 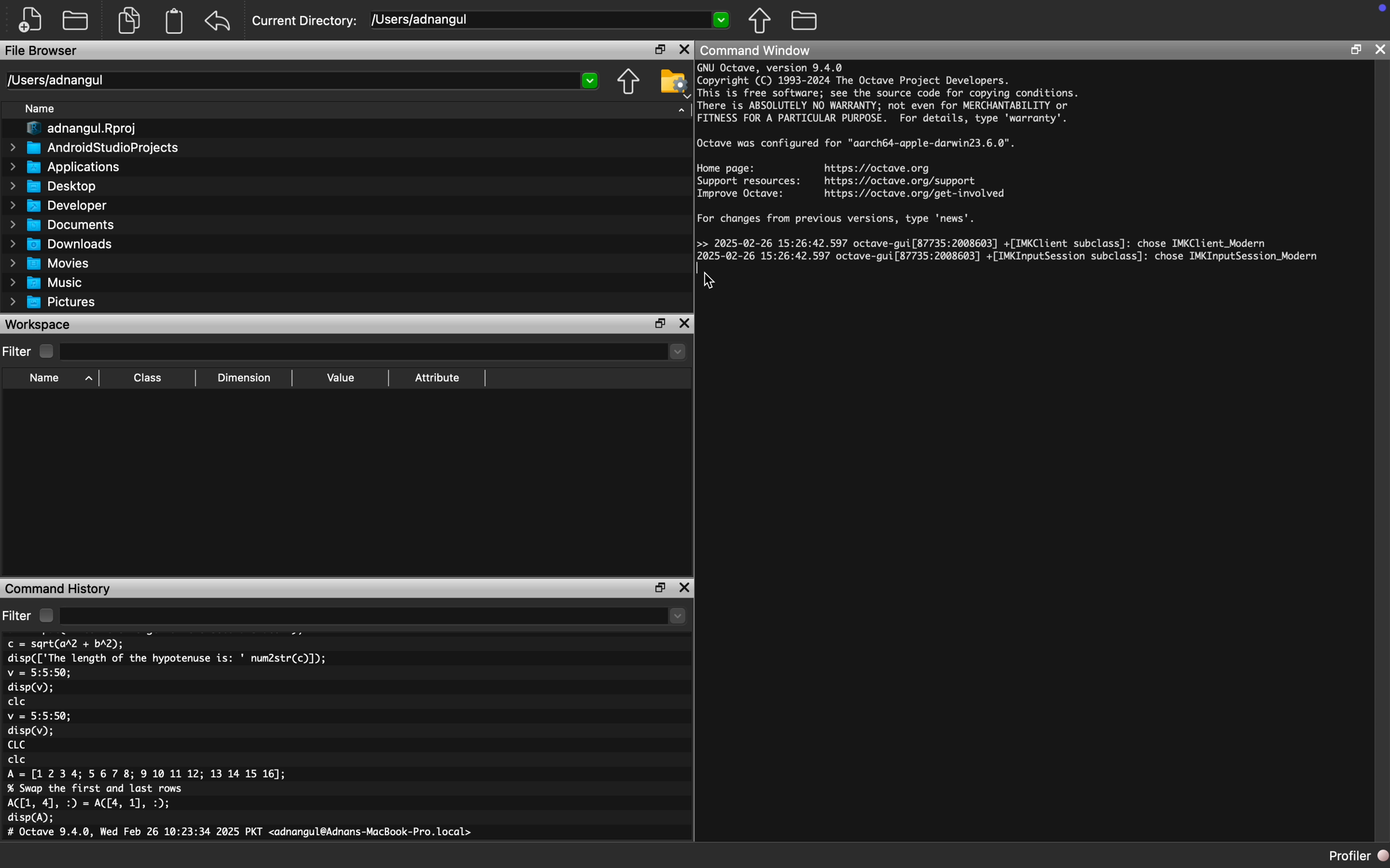 What do you see at coordinates (376, 353) in the screenshot?
I see `Dropdown` at bounding box center [376, 353].